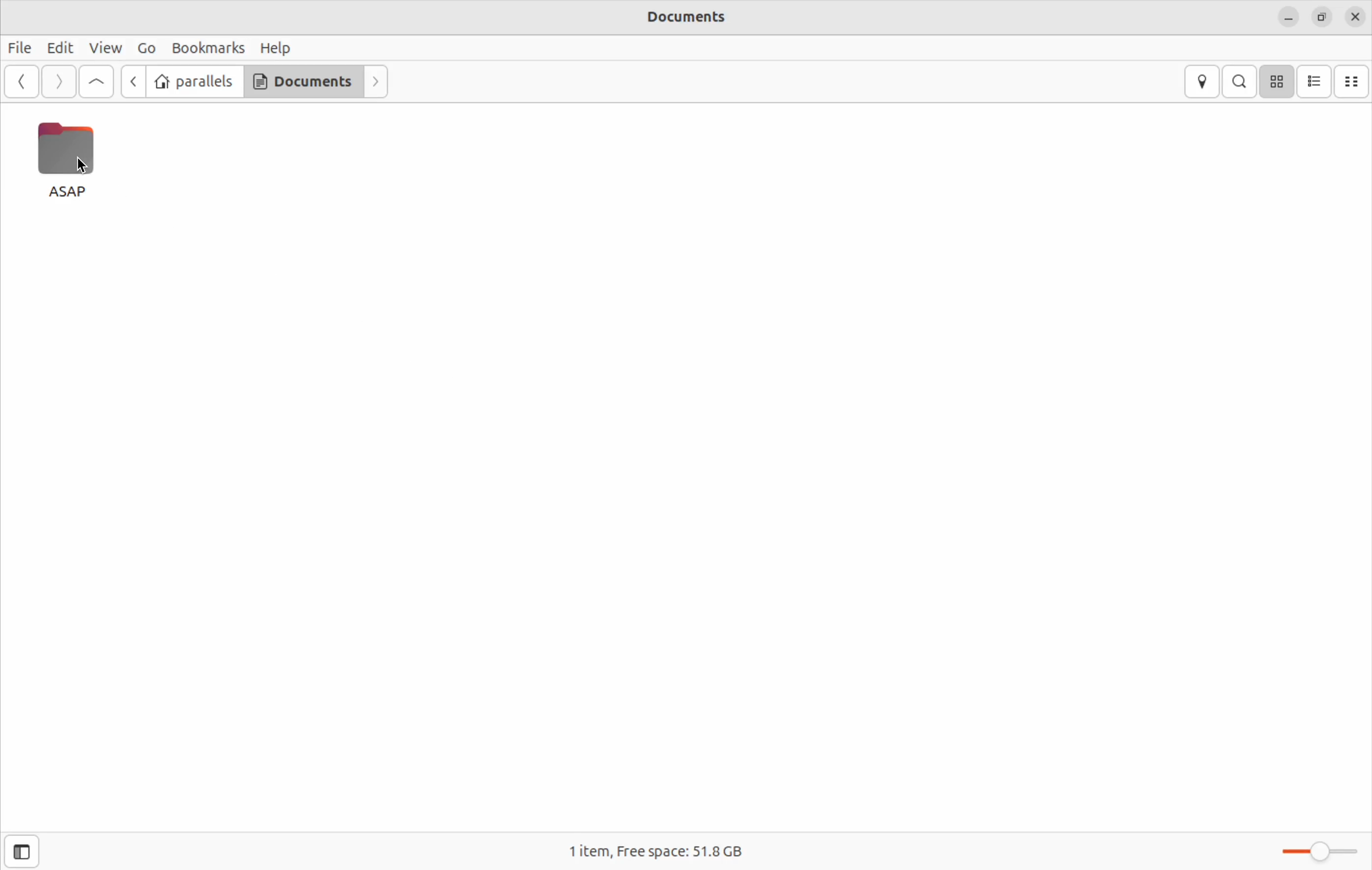 The image size is (1372, 870). I want to click on open sidebar, so click(29, 849).